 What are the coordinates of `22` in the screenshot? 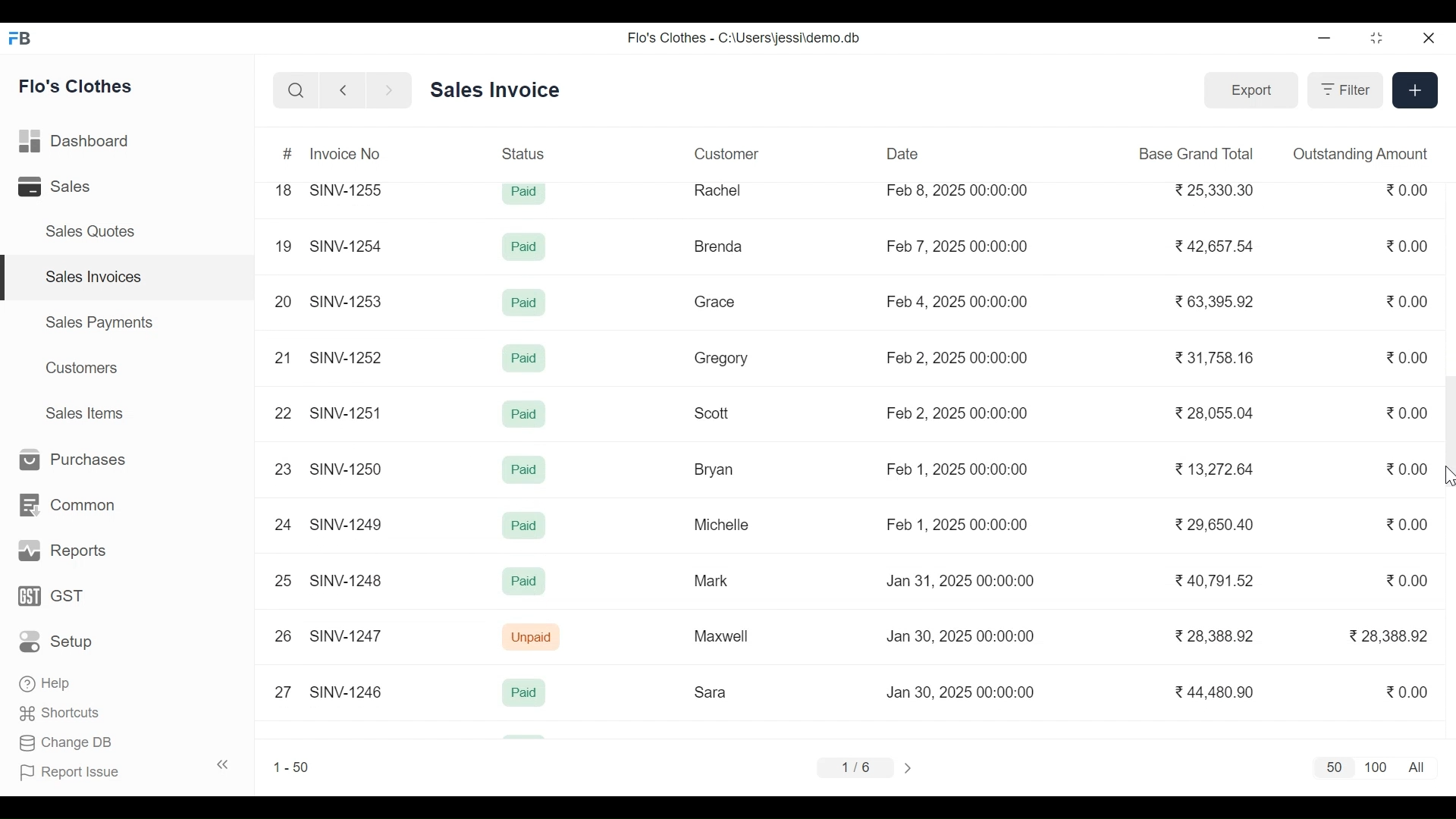 It's located at (281, 413).